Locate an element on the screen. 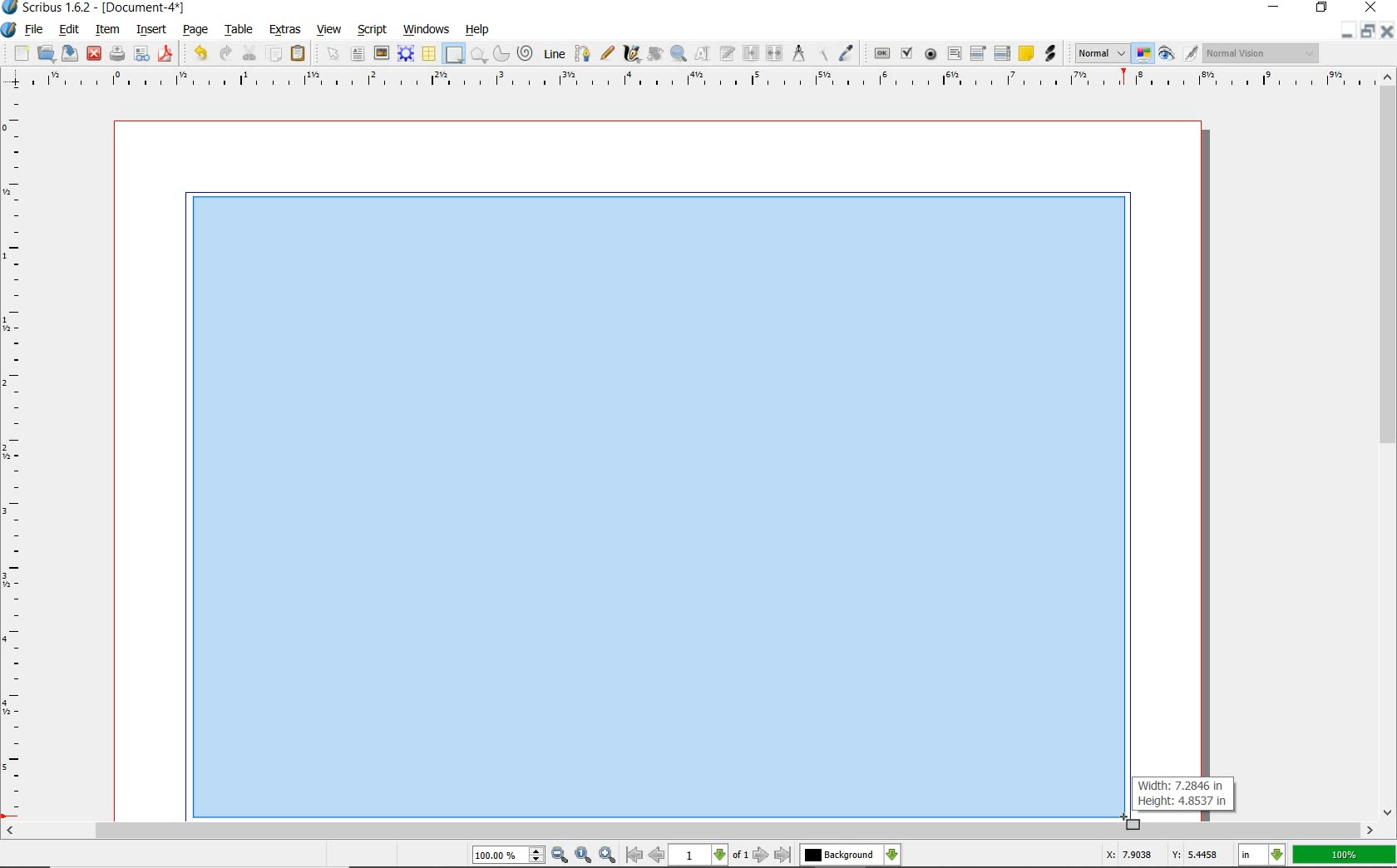 This screenshot has height=868, width=1397. extras is located at coordinates (284, 30).